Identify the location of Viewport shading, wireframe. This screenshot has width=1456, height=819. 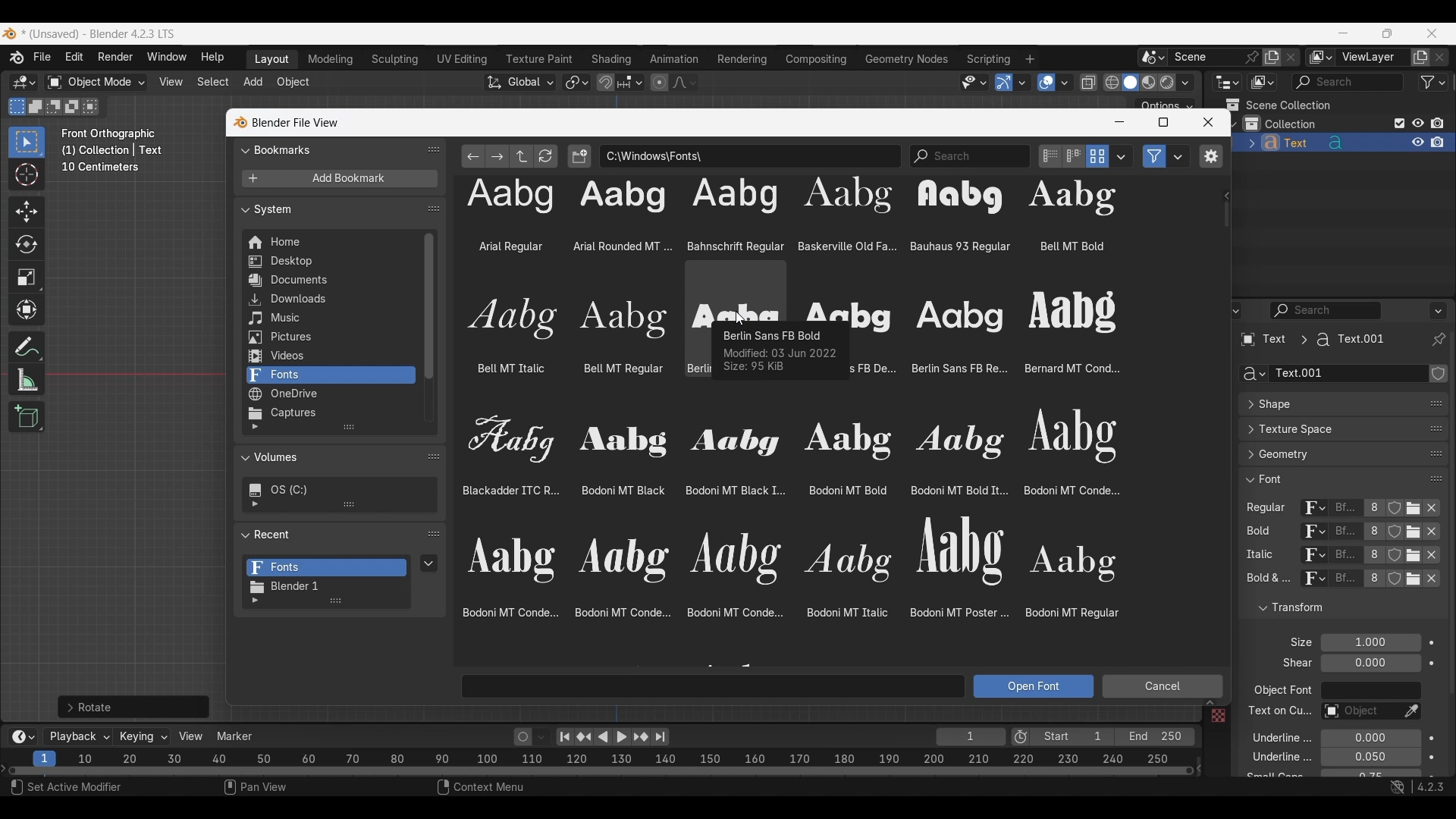
(1112, 83).